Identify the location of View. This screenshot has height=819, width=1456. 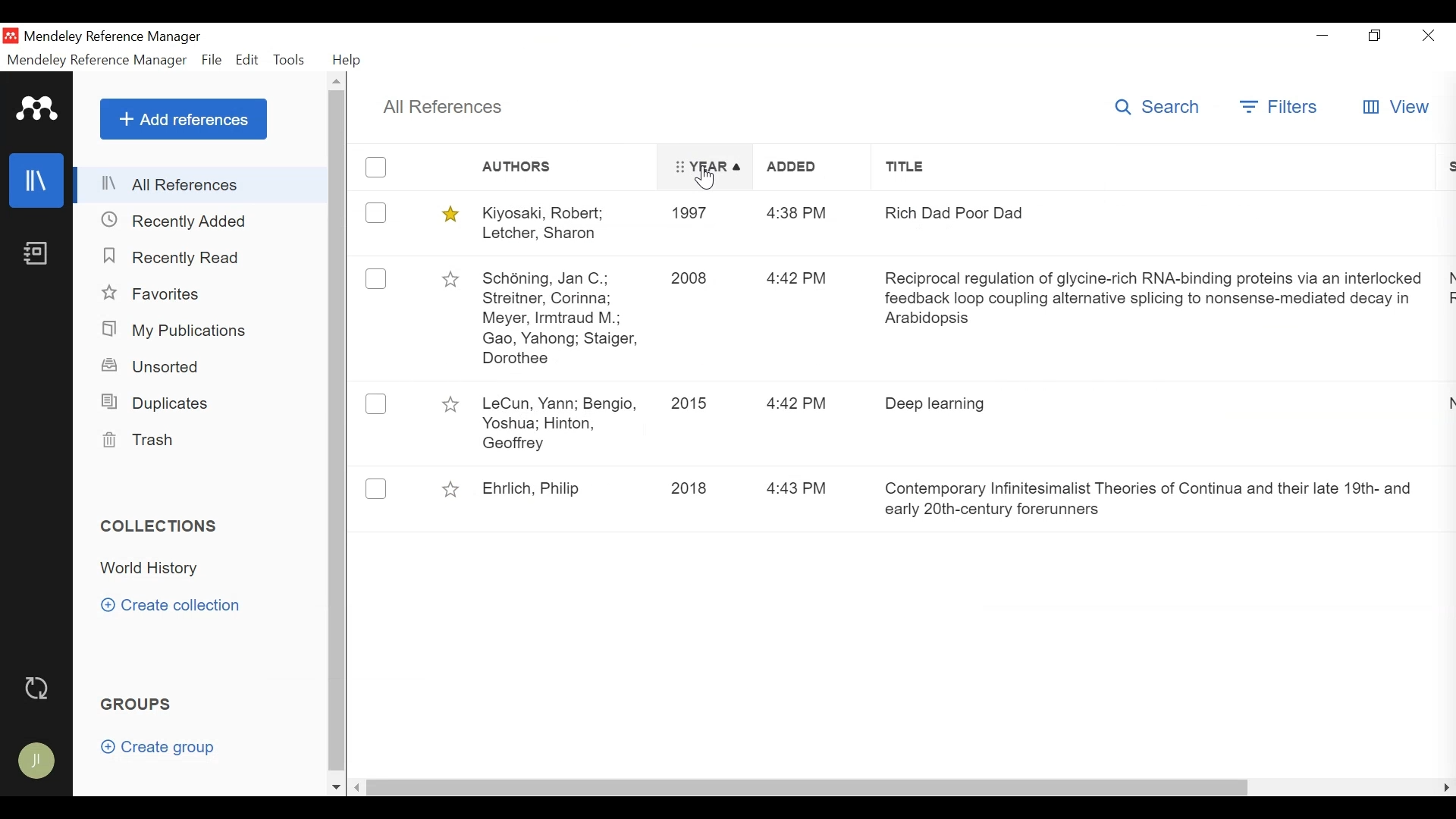
(1395, 106).